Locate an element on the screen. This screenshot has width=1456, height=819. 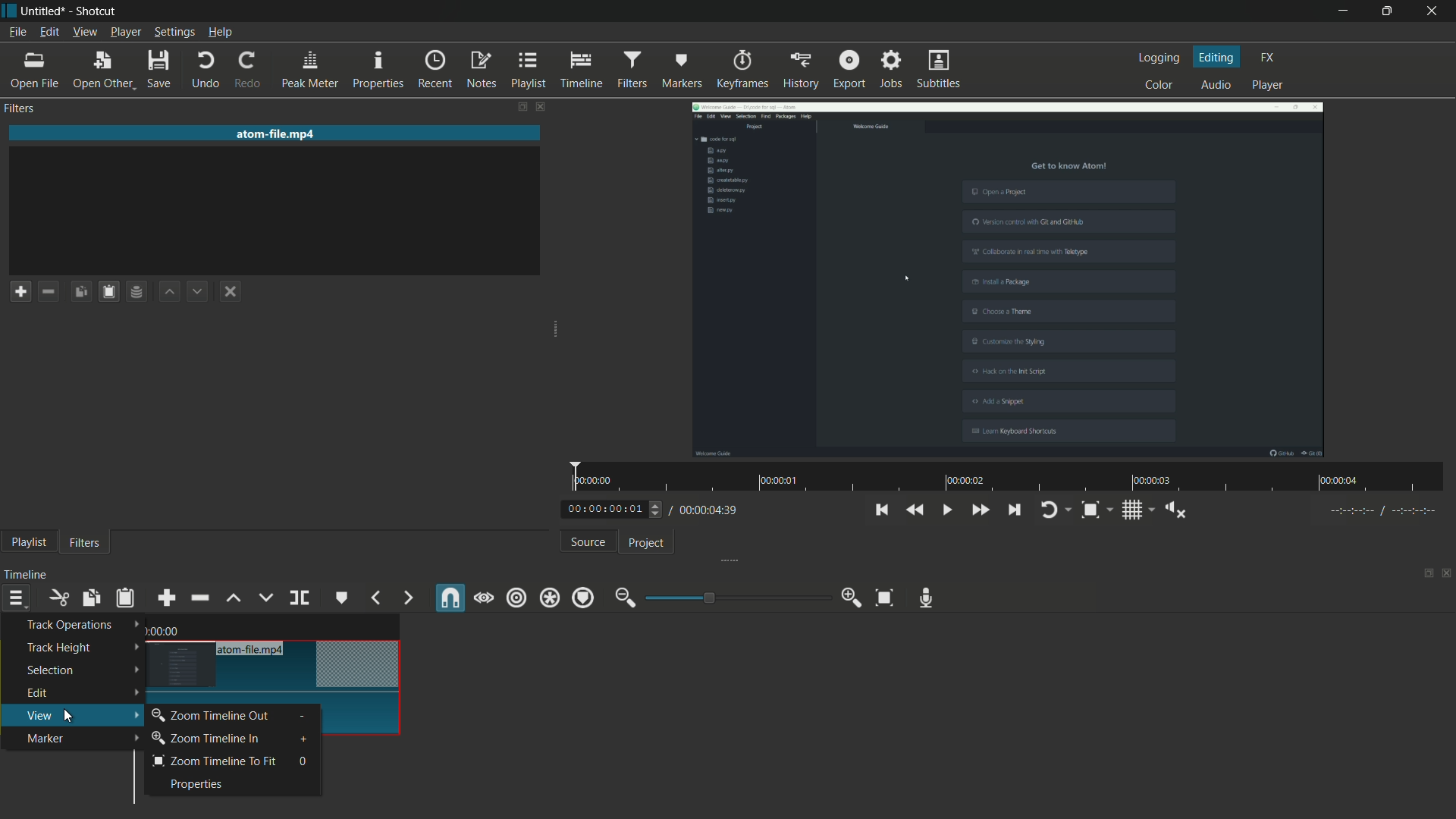
history is located at coordinates (801, 70).